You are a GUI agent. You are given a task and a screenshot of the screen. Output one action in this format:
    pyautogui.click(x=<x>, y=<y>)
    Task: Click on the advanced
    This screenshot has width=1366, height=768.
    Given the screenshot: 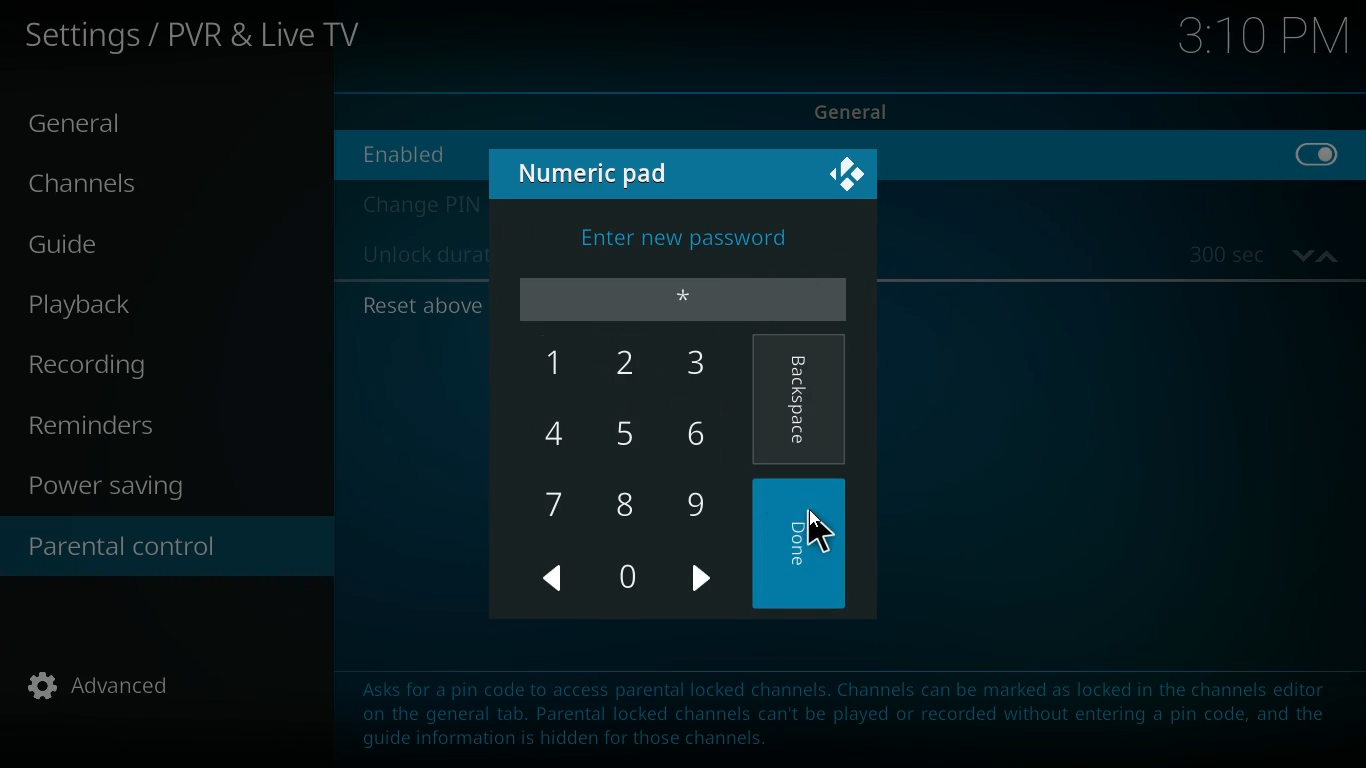 What is the action you would take?
    pyautogui.click(x=114, y=692)
    